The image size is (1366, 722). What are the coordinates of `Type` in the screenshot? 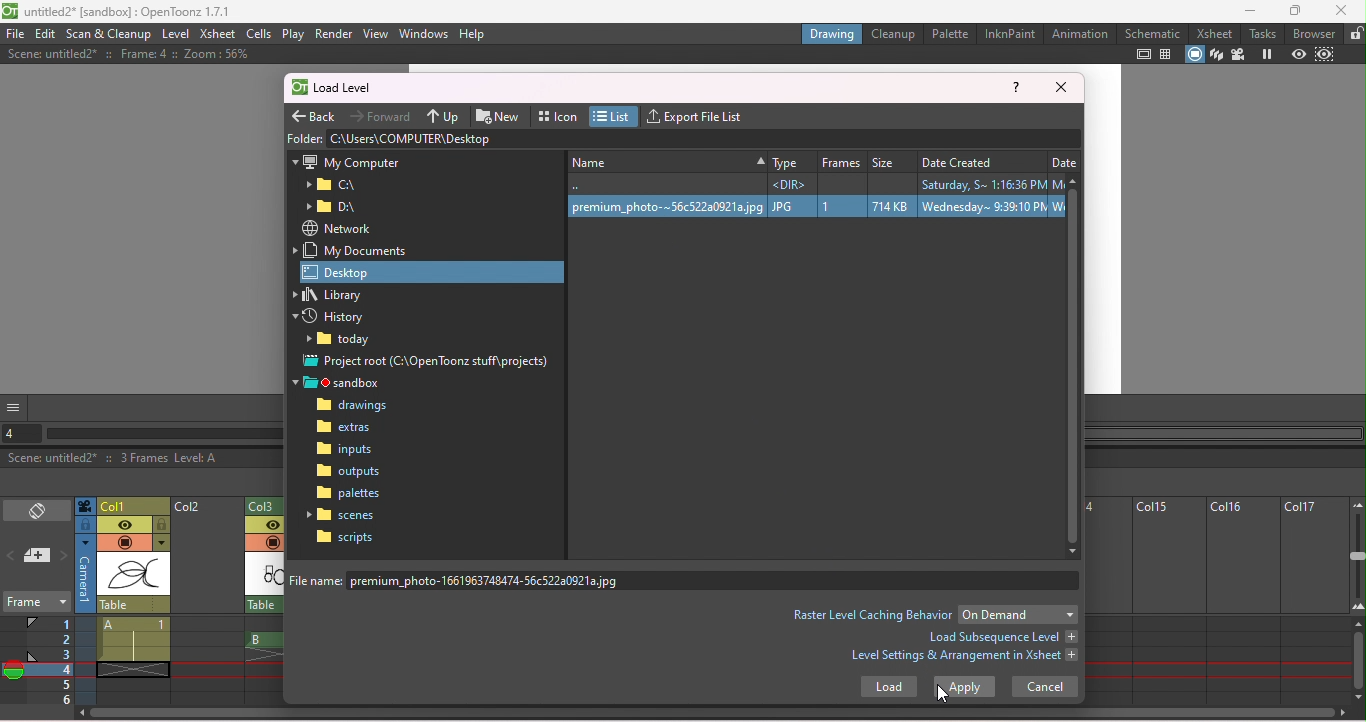 It's located at (790, 159).